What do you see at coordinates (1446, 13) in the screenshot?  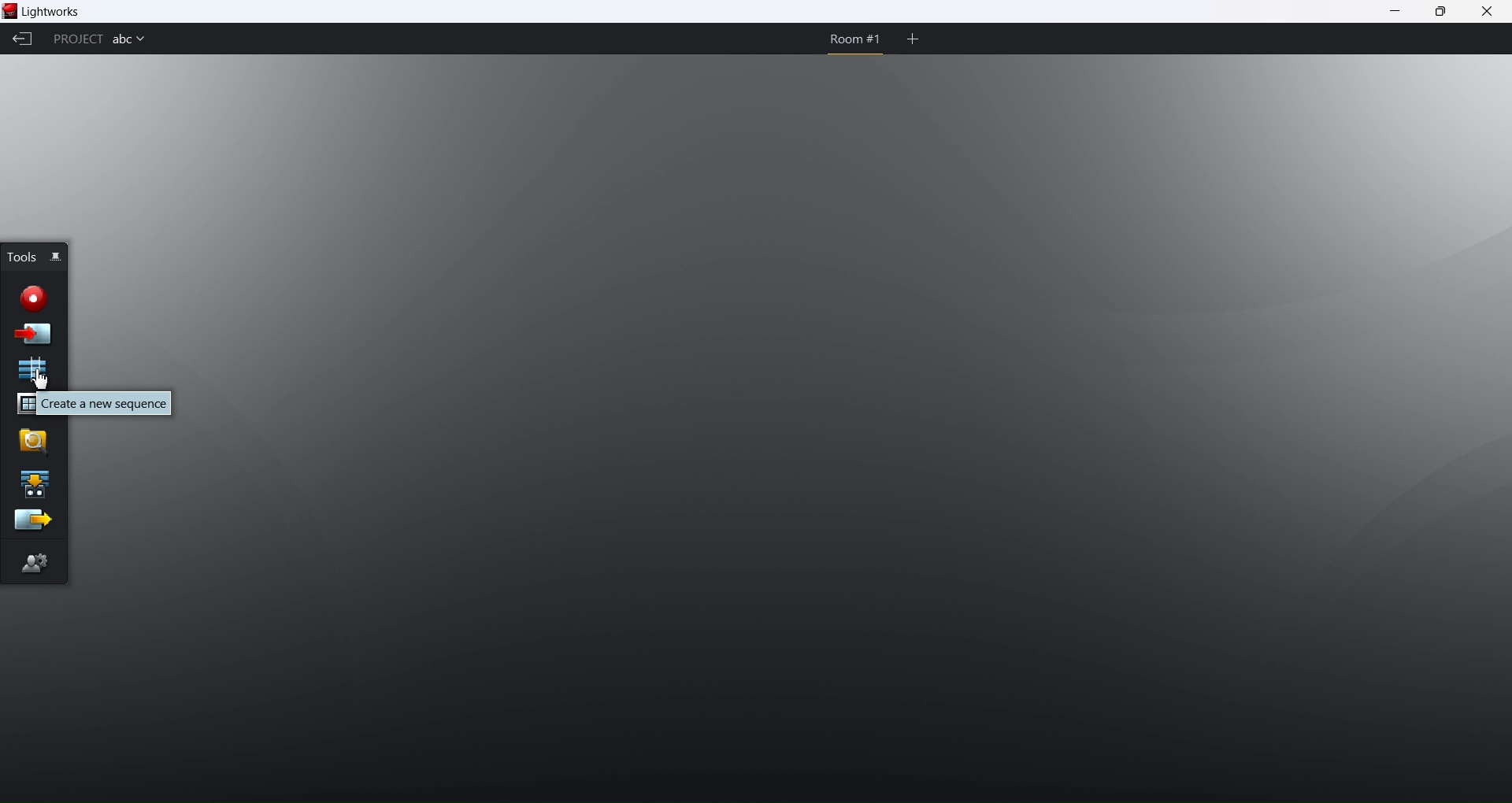 I see `maximize` at bounding box center [1446, 13].